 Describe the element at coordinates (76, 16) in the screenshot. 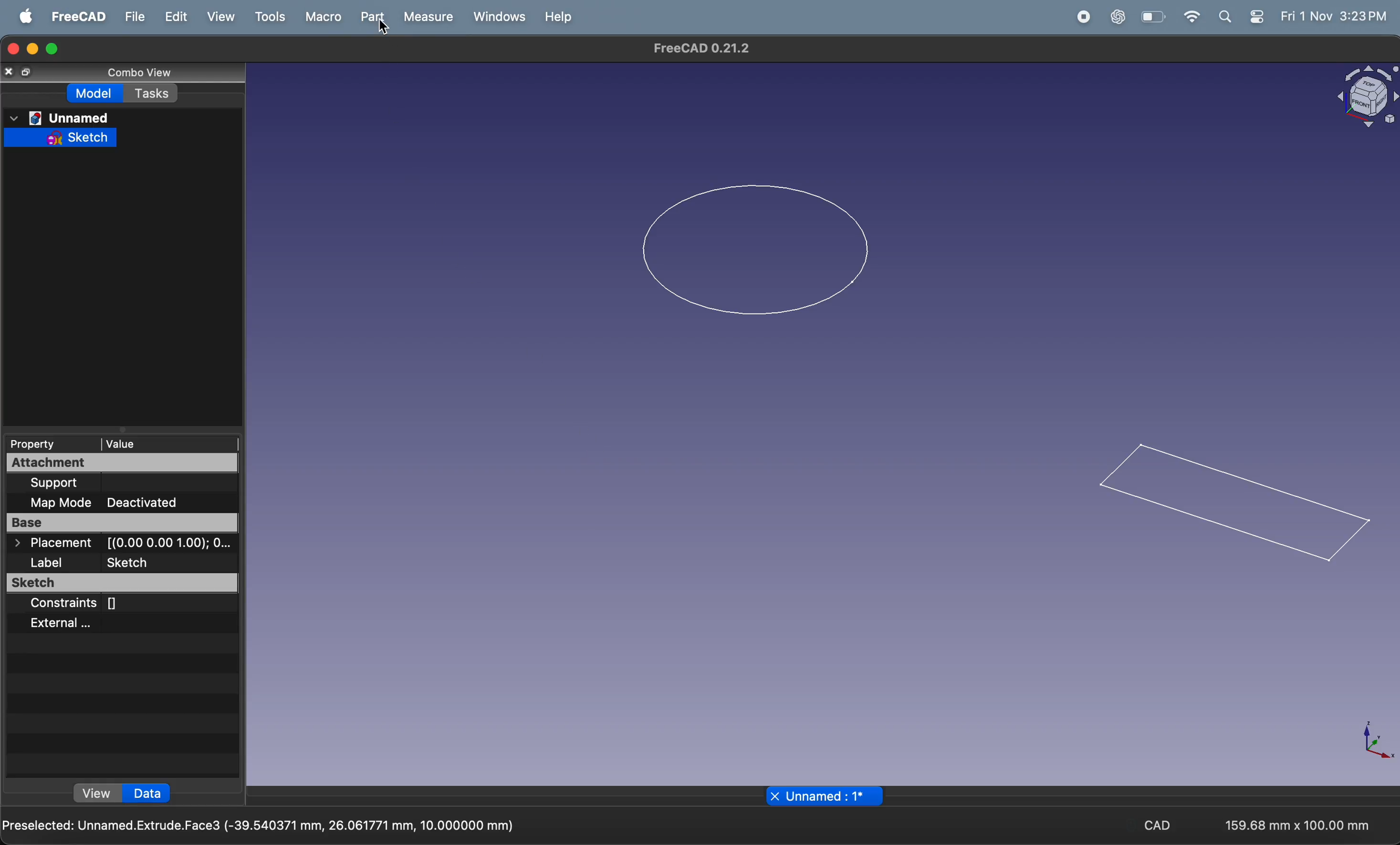

I see `Freecad` at that location.